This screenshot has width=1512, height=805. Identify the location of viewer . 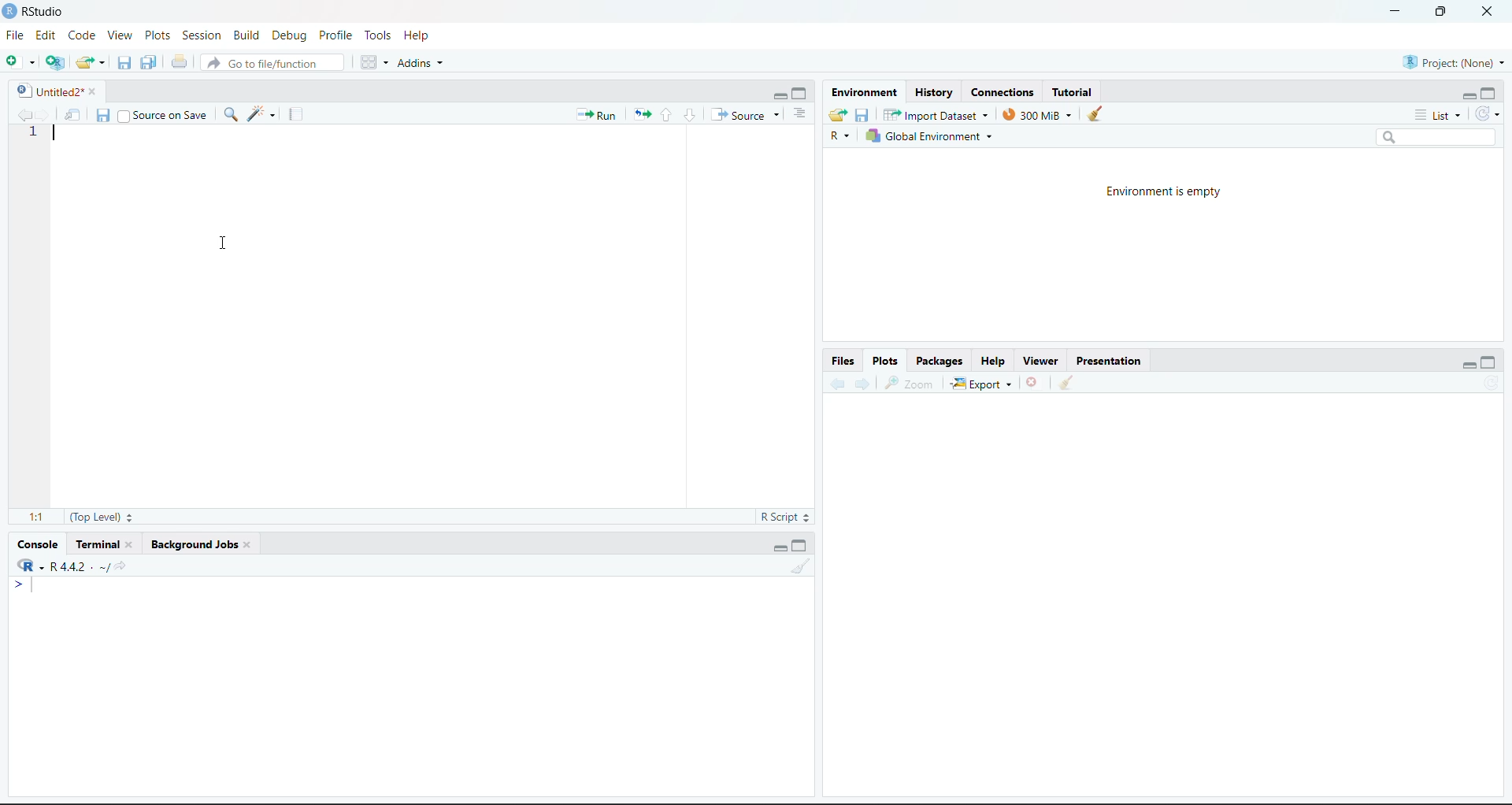
(1043, 359).